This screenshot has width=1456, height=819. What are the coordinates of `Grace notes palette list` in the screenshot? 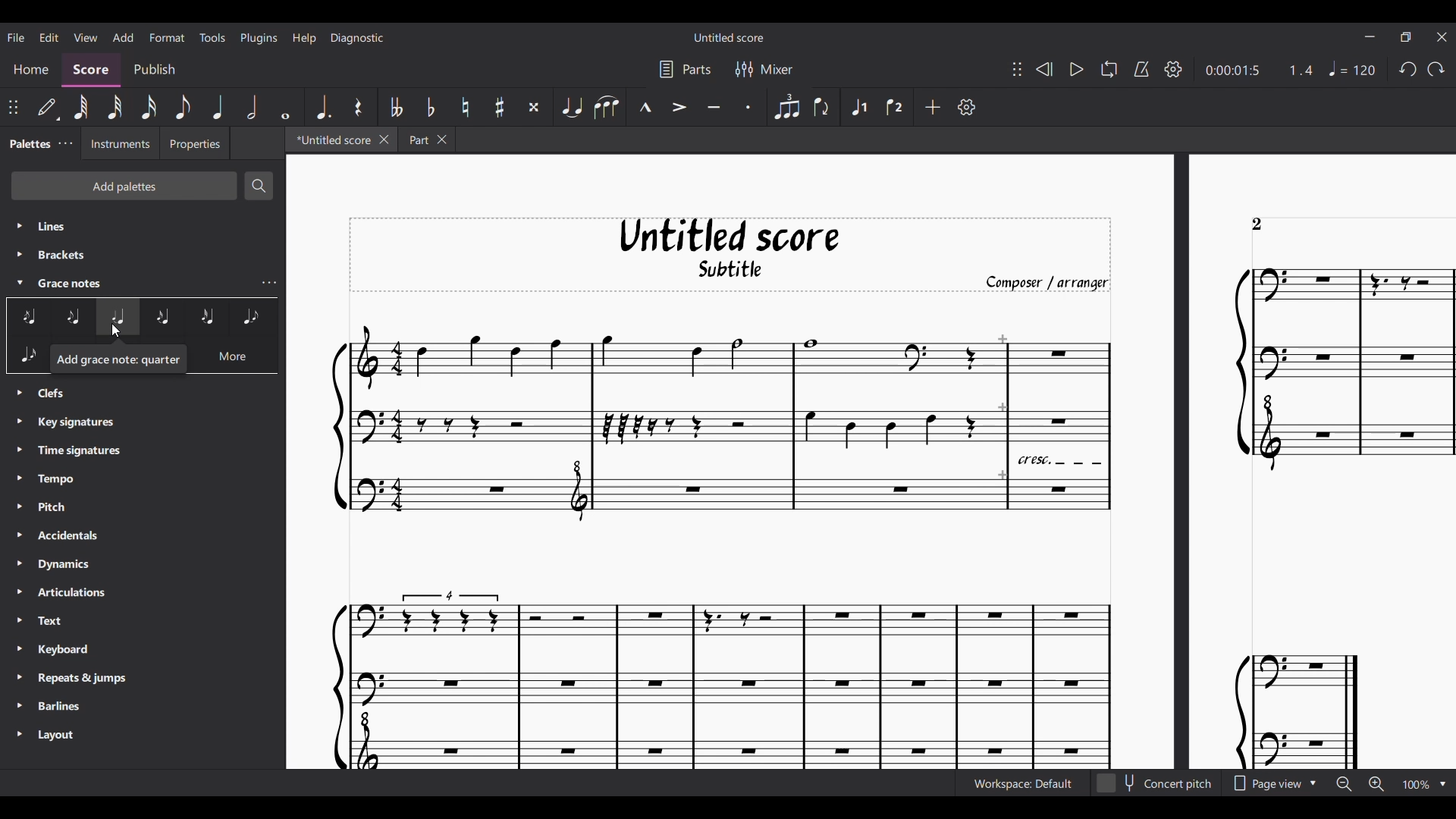 It's located at (269, 283).